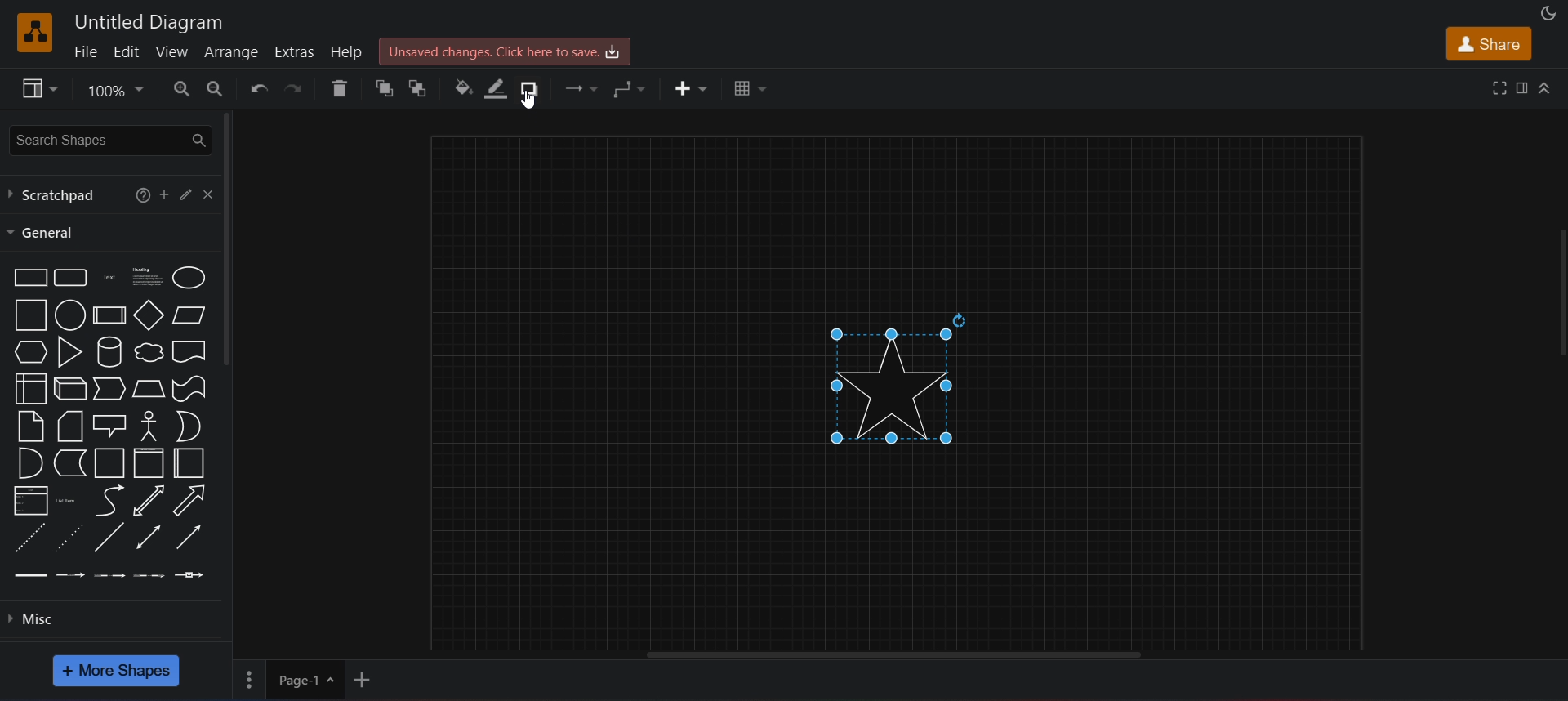 Image resolution: width=1568 pixels, height=701 pixels. I want to click on text, so click(106, 278).